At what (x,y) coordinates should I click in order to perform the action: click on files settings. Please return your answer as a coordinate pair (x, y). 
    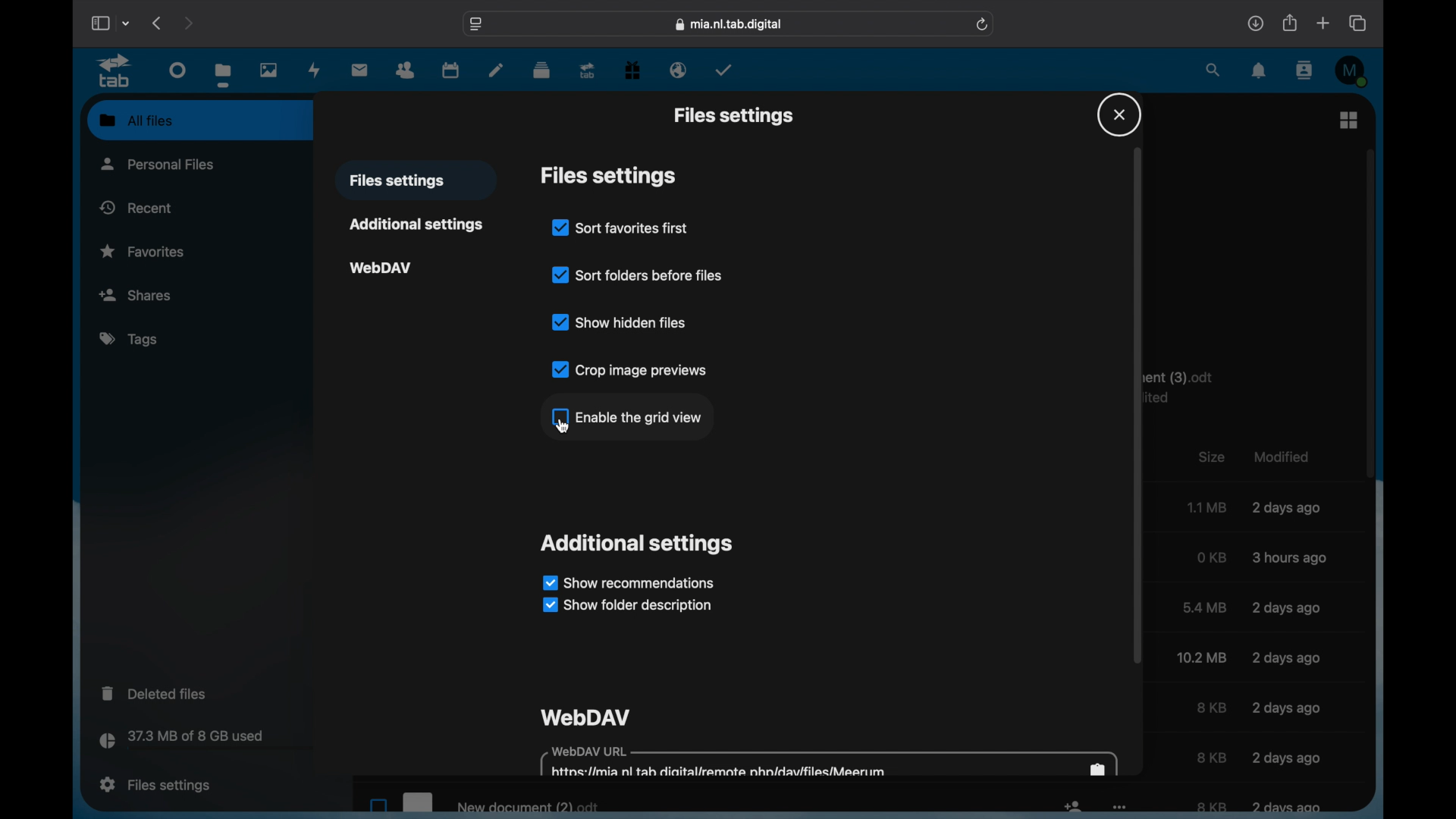
    Looking at the image, I should click on (608, 176).